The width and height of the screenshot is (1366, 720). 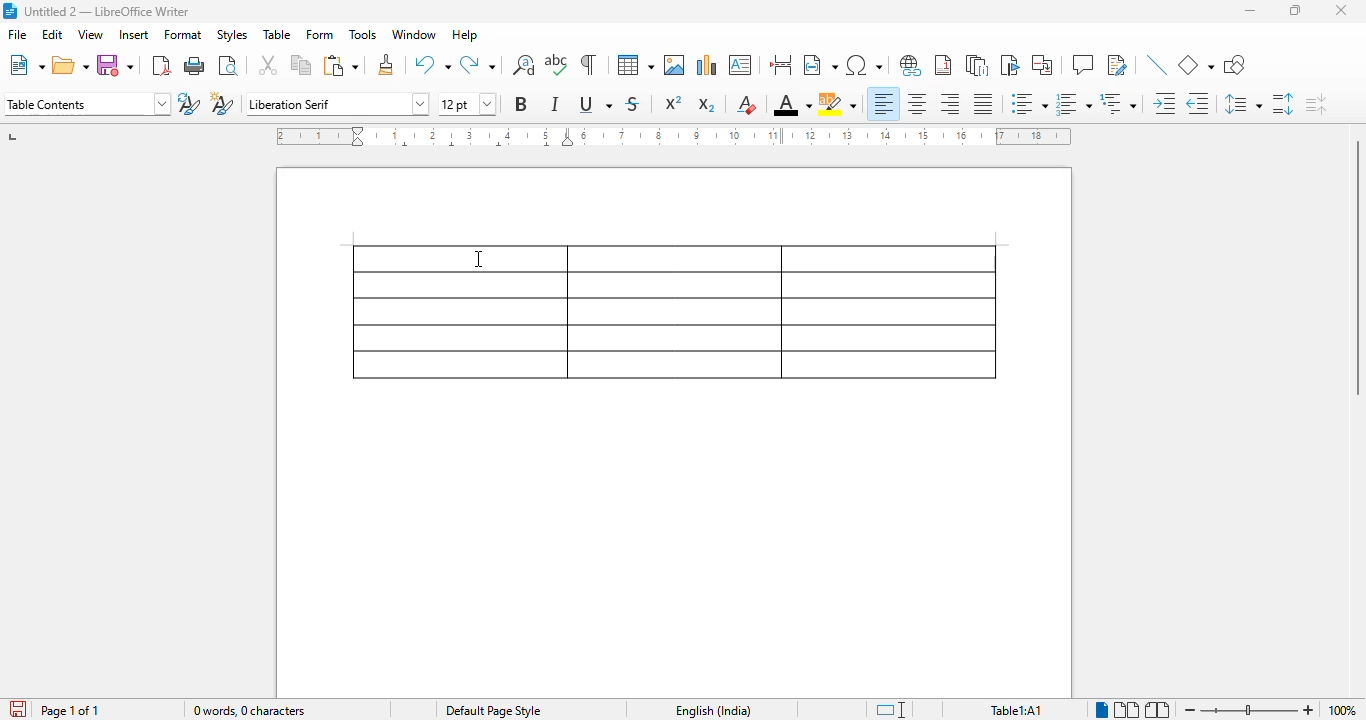 What do you see at coordinates (414, 34) in the screenshot?
I see `window` at bounding box center [414, 34].